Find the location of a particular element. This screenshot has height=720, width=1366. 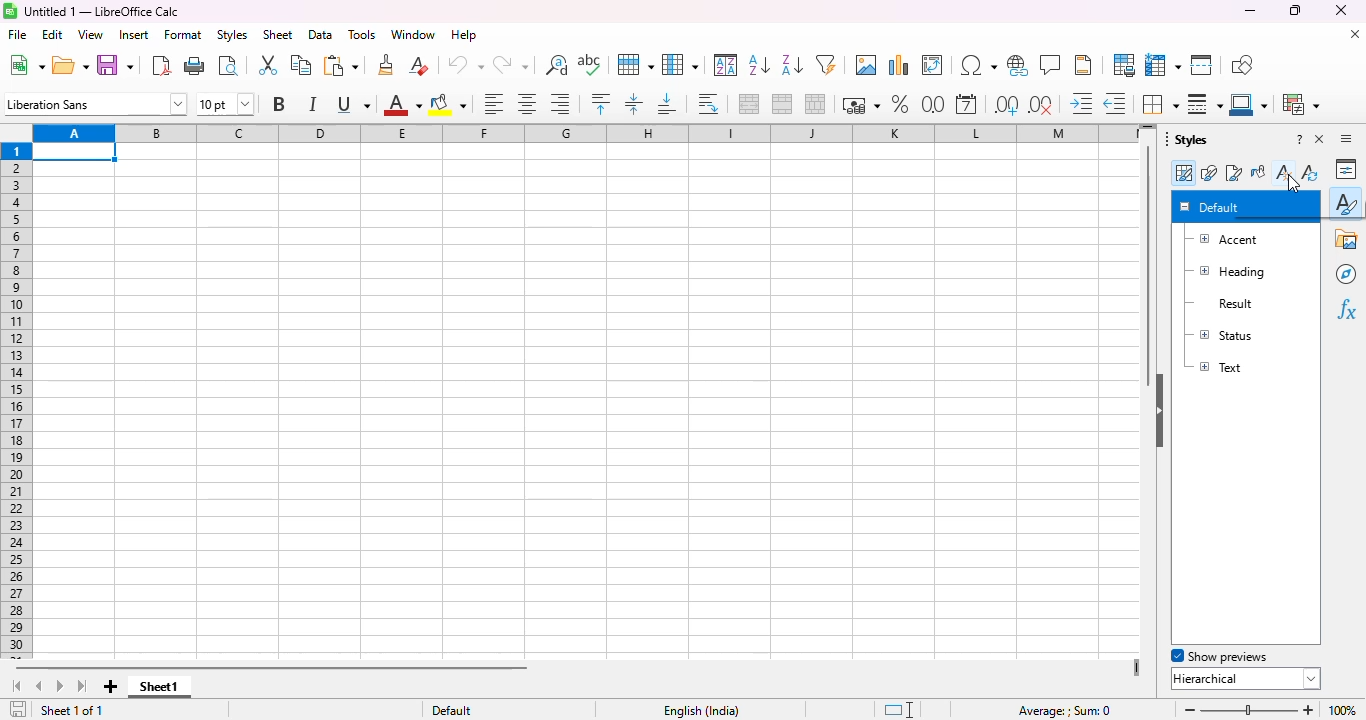

row is located at coordinates (635, 64).